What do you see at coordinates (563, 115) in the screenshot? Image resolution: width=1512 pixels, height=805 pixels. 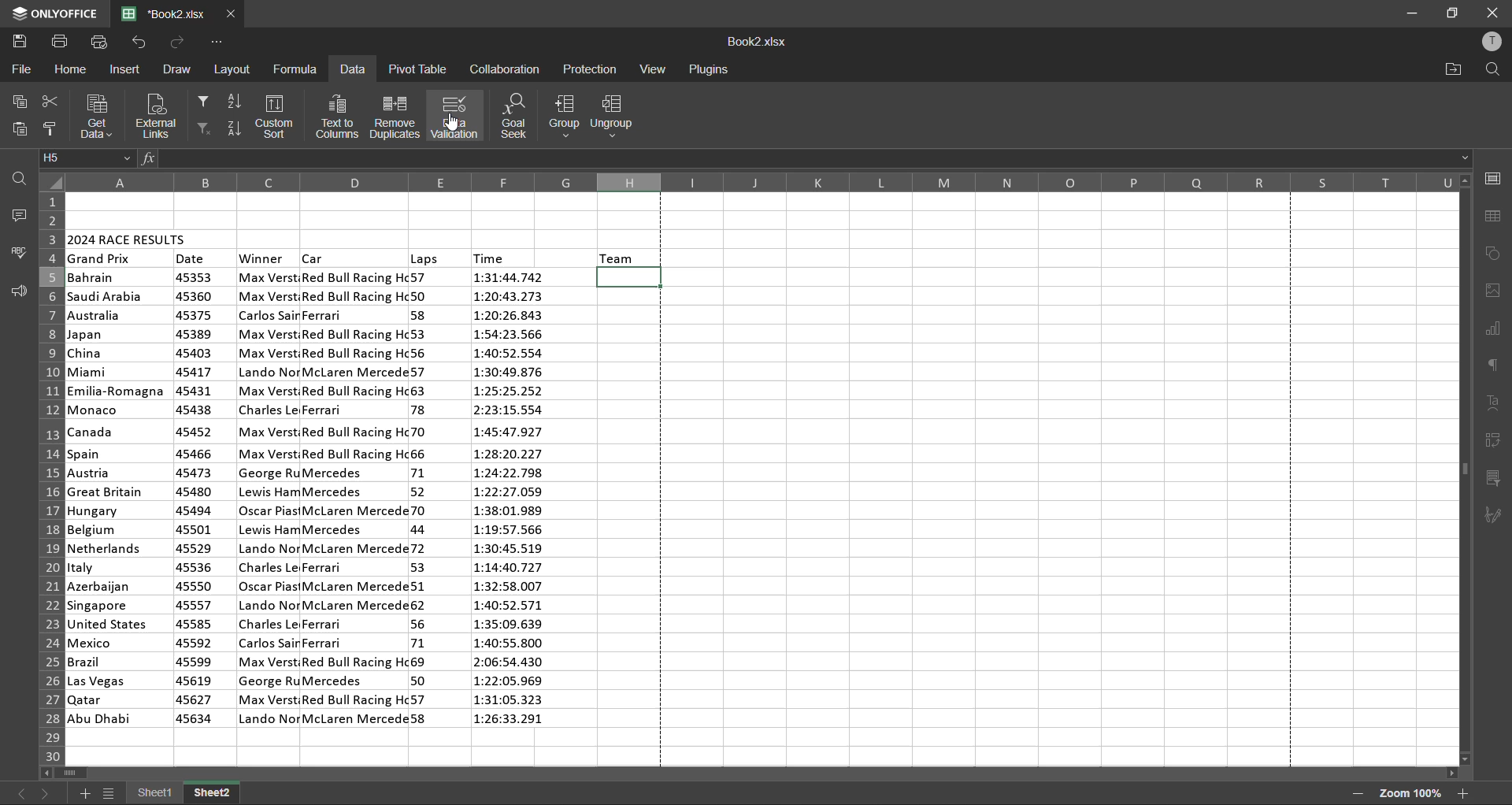 I see `group` at bounding box center [563, 115].